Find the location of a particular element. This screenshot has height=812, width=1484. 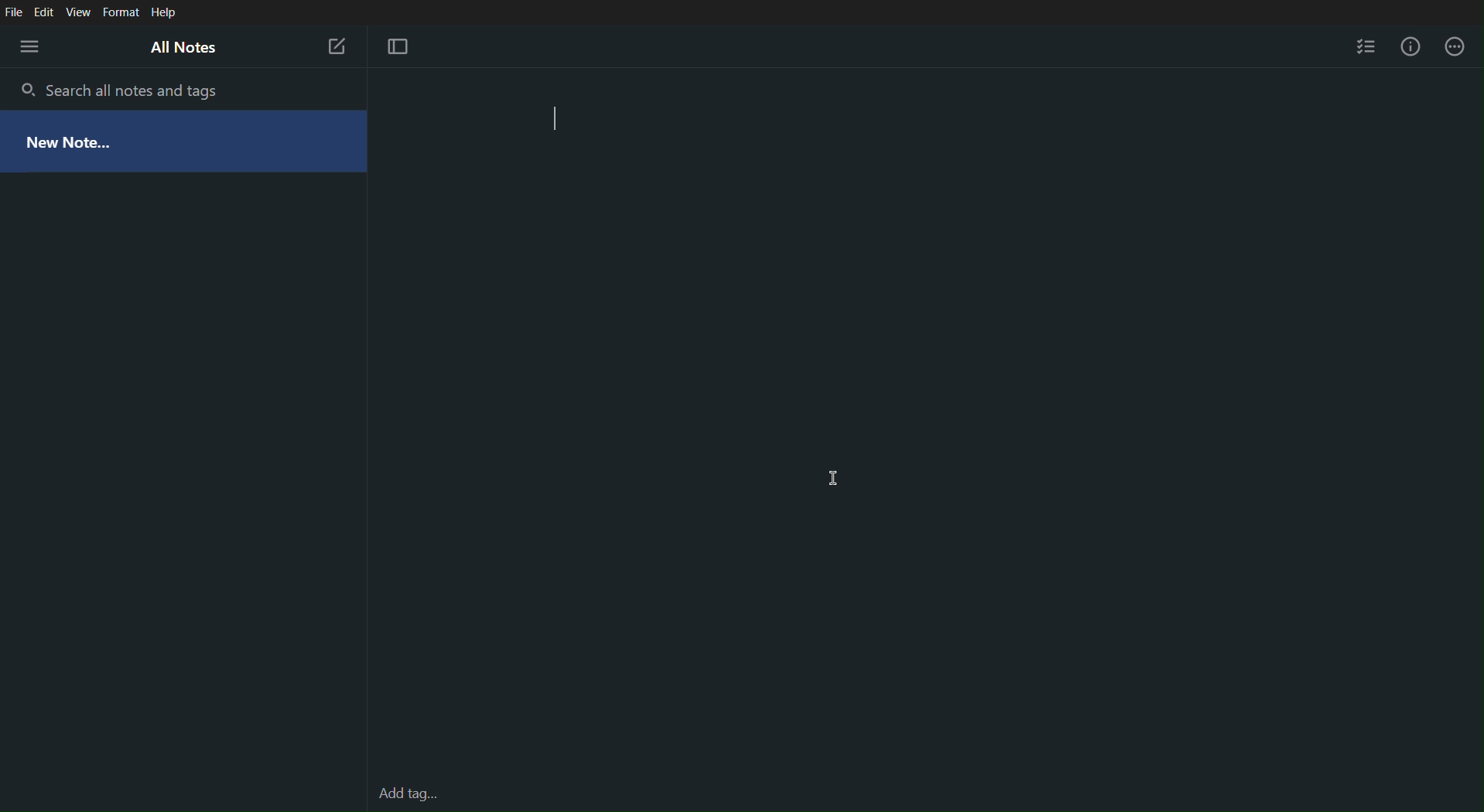

Info is located at coordinates (1410, 43).